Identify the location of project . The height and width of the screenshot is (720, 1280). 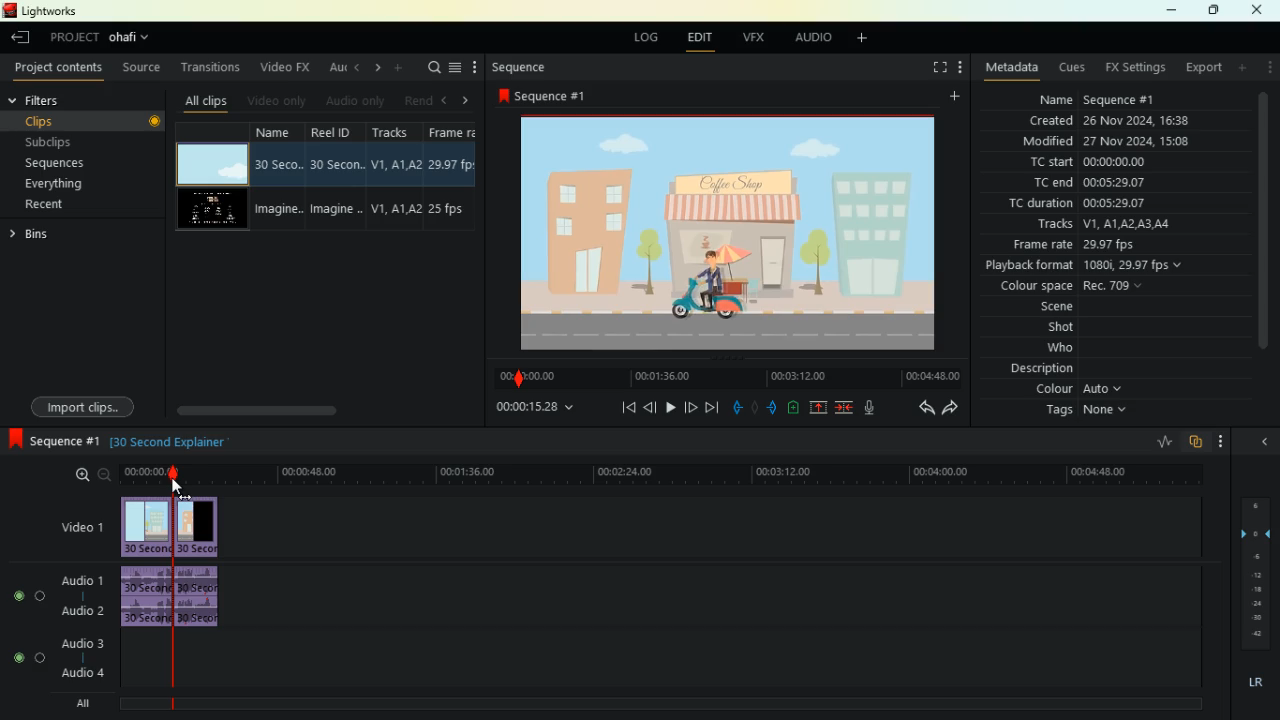
(101, 39).